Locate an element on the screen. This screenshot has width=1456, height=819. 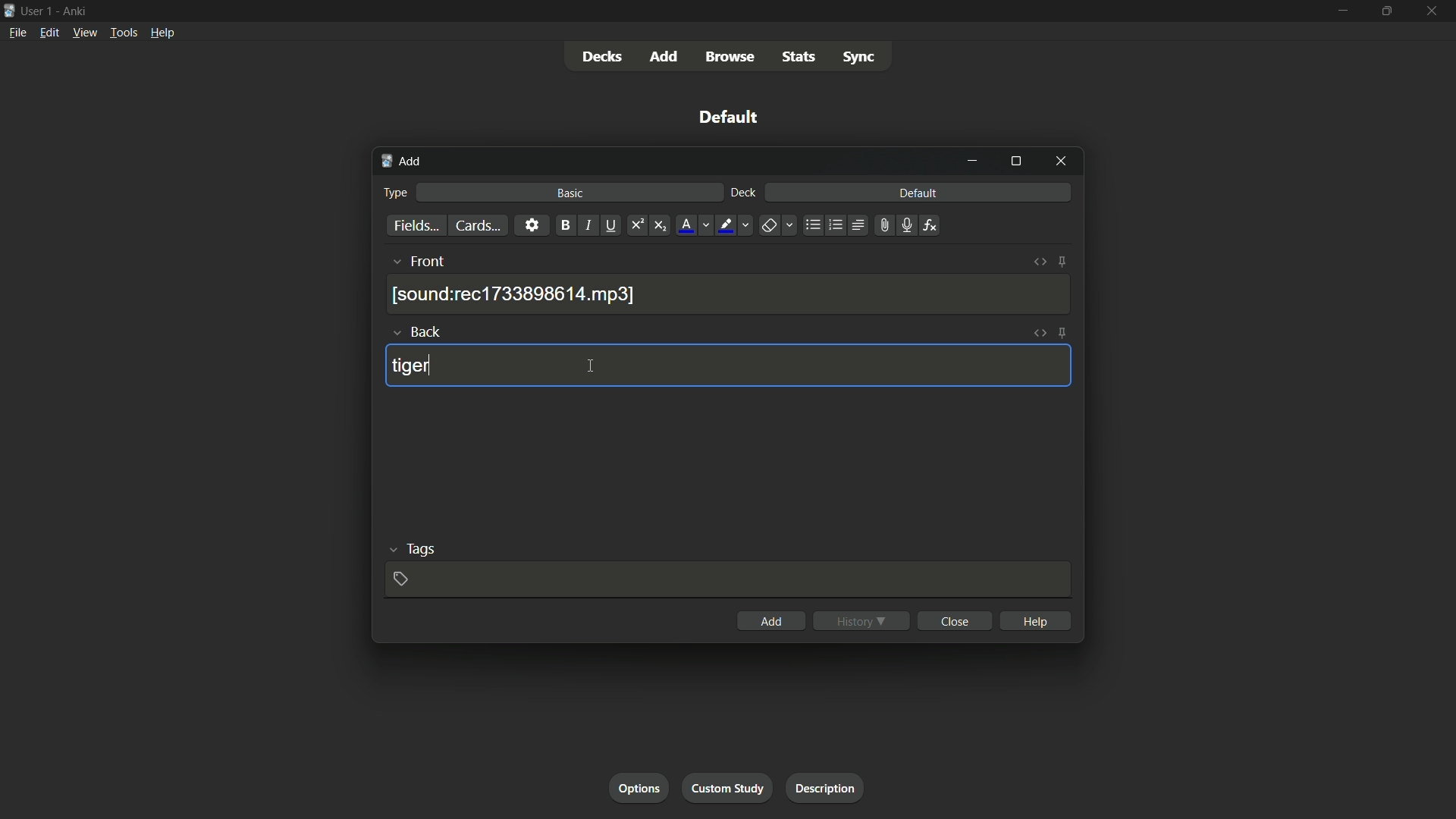
toggle sticky is located at coordinates (1062, 333).